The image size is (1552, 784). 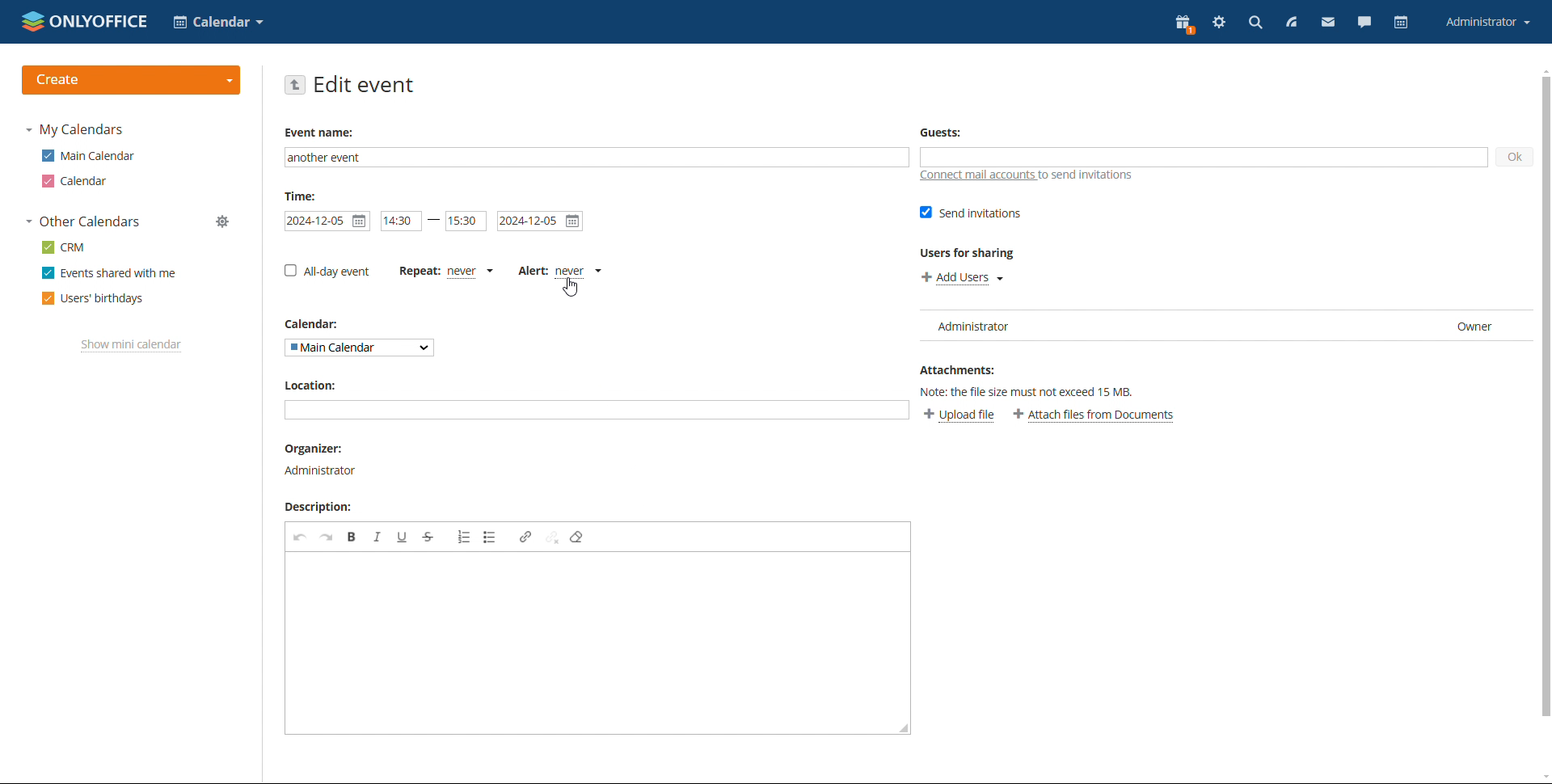 What do you see at coordinates (327, 221) in the screenshot?
I see `start date` at bounding box center [327, 221].